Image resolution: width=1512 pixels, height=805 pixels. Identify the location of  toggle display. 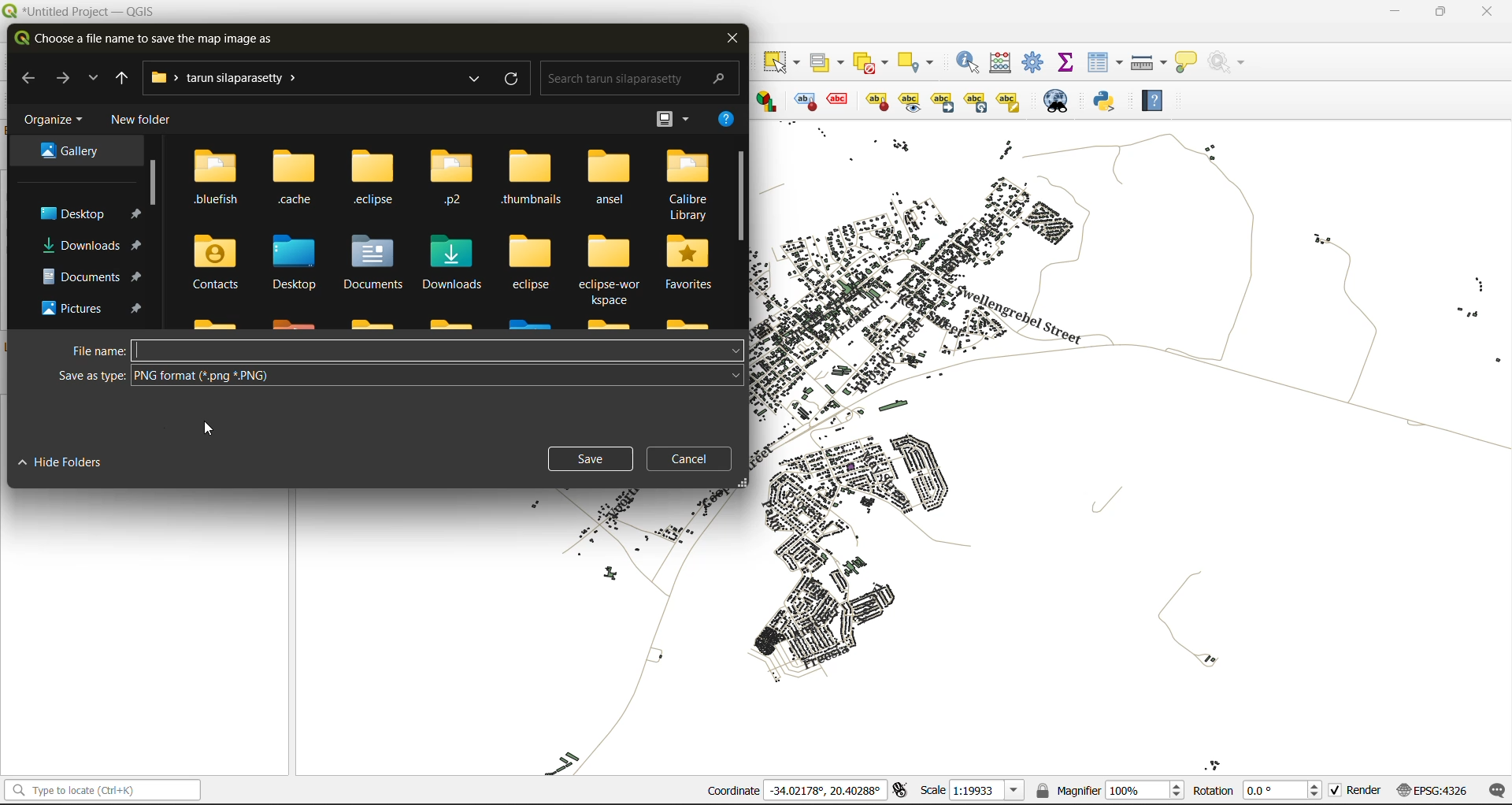
(802, 101).